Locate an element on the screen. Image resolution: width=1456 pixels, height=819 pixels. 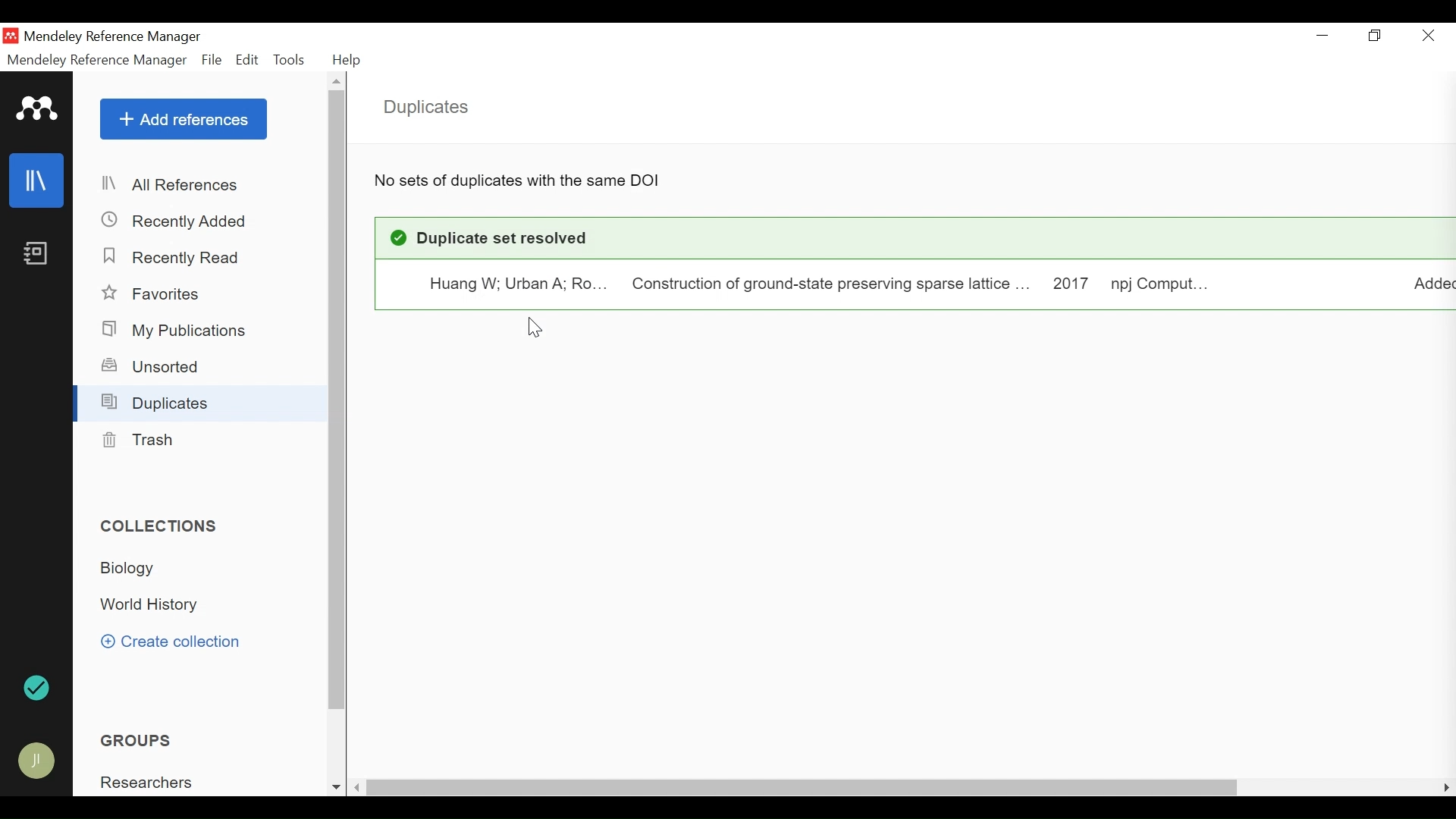
Sync is located at coordinates (38, 686).